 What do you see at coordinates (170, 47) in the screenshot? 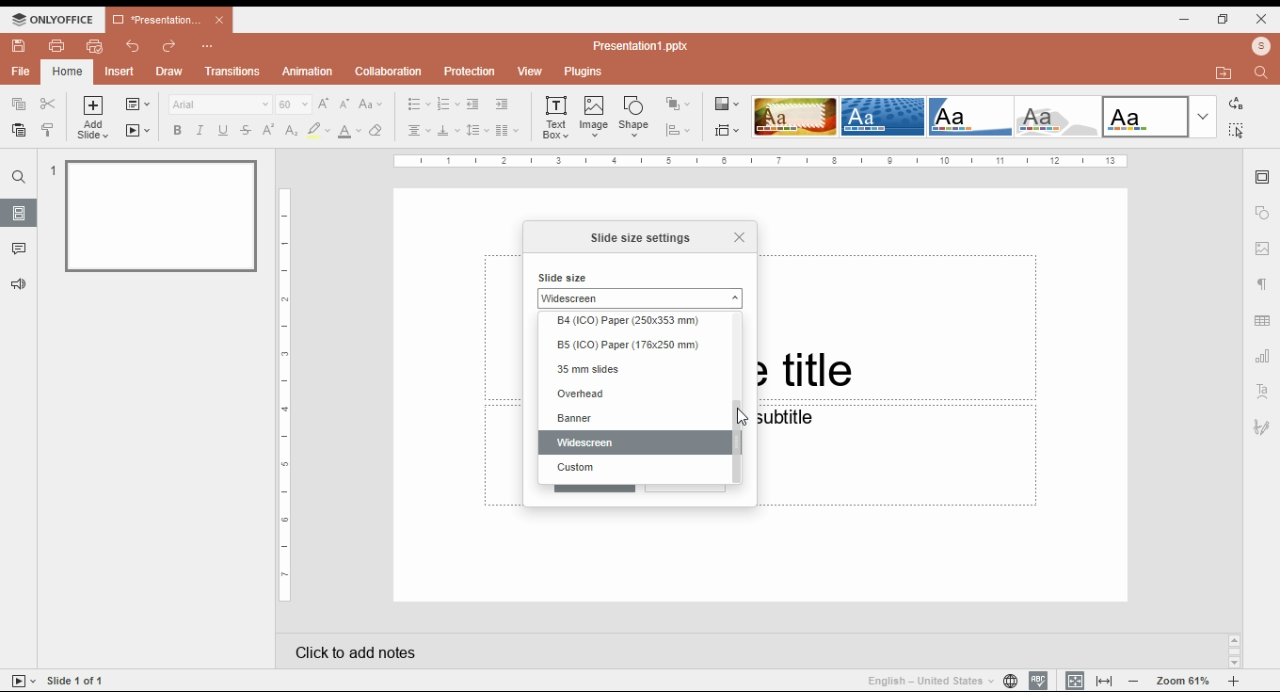
I see `redo` at bounding box center [170, 47].